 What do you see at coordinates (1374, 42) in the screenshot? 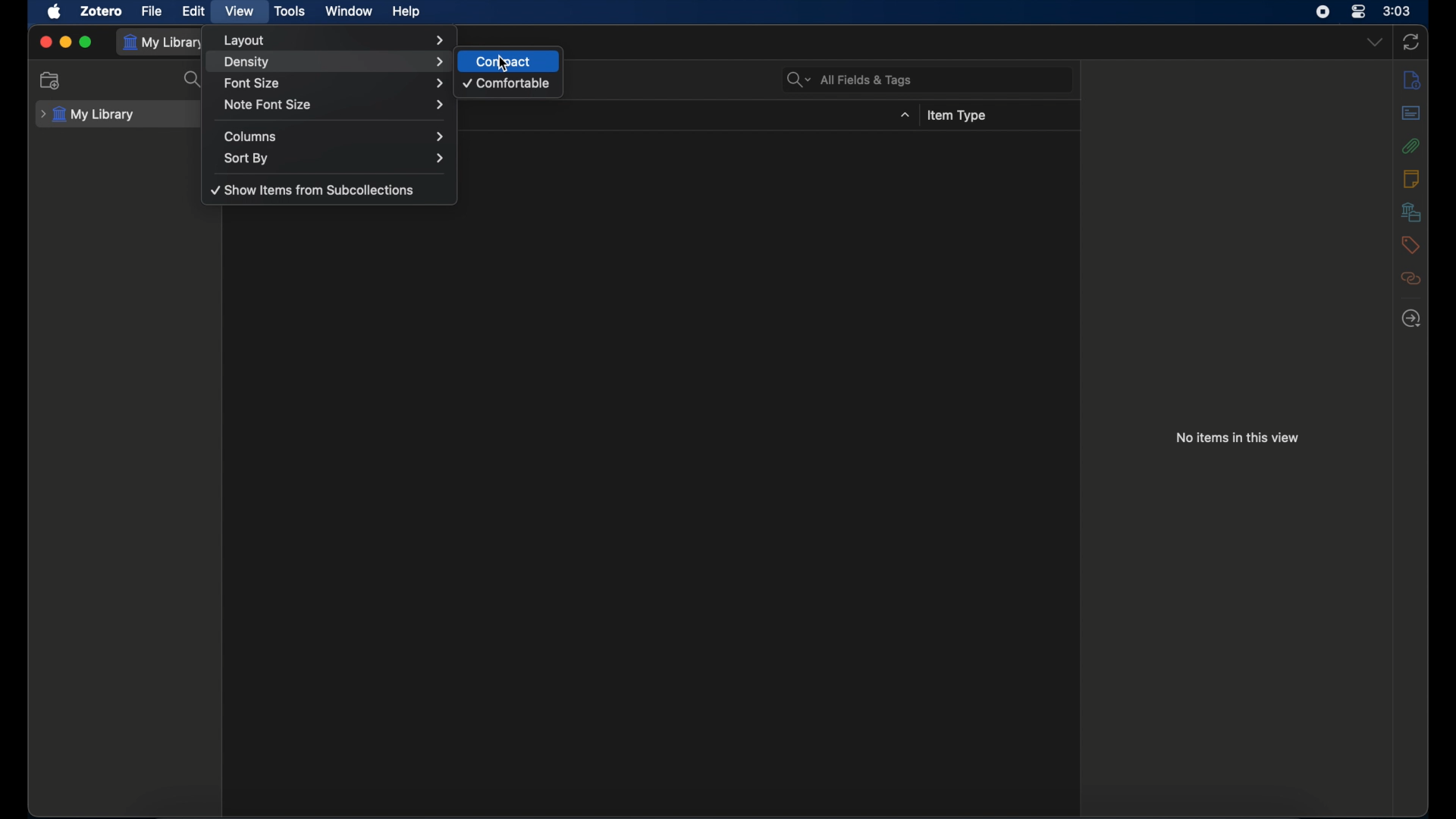
I see `dropdown` at bounding box center [1374, 42].